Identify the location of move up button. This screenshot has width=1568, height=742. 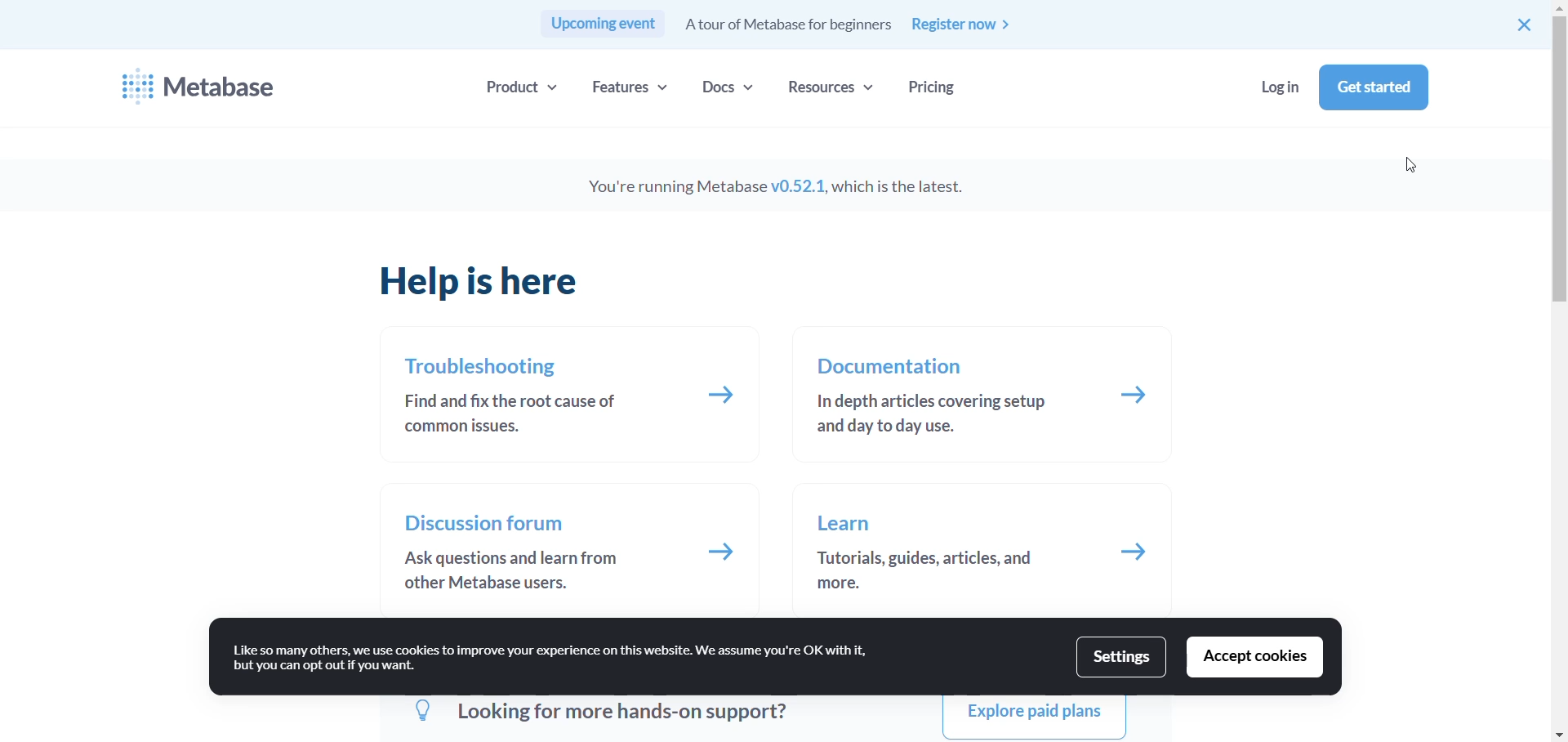
(1555, 8).